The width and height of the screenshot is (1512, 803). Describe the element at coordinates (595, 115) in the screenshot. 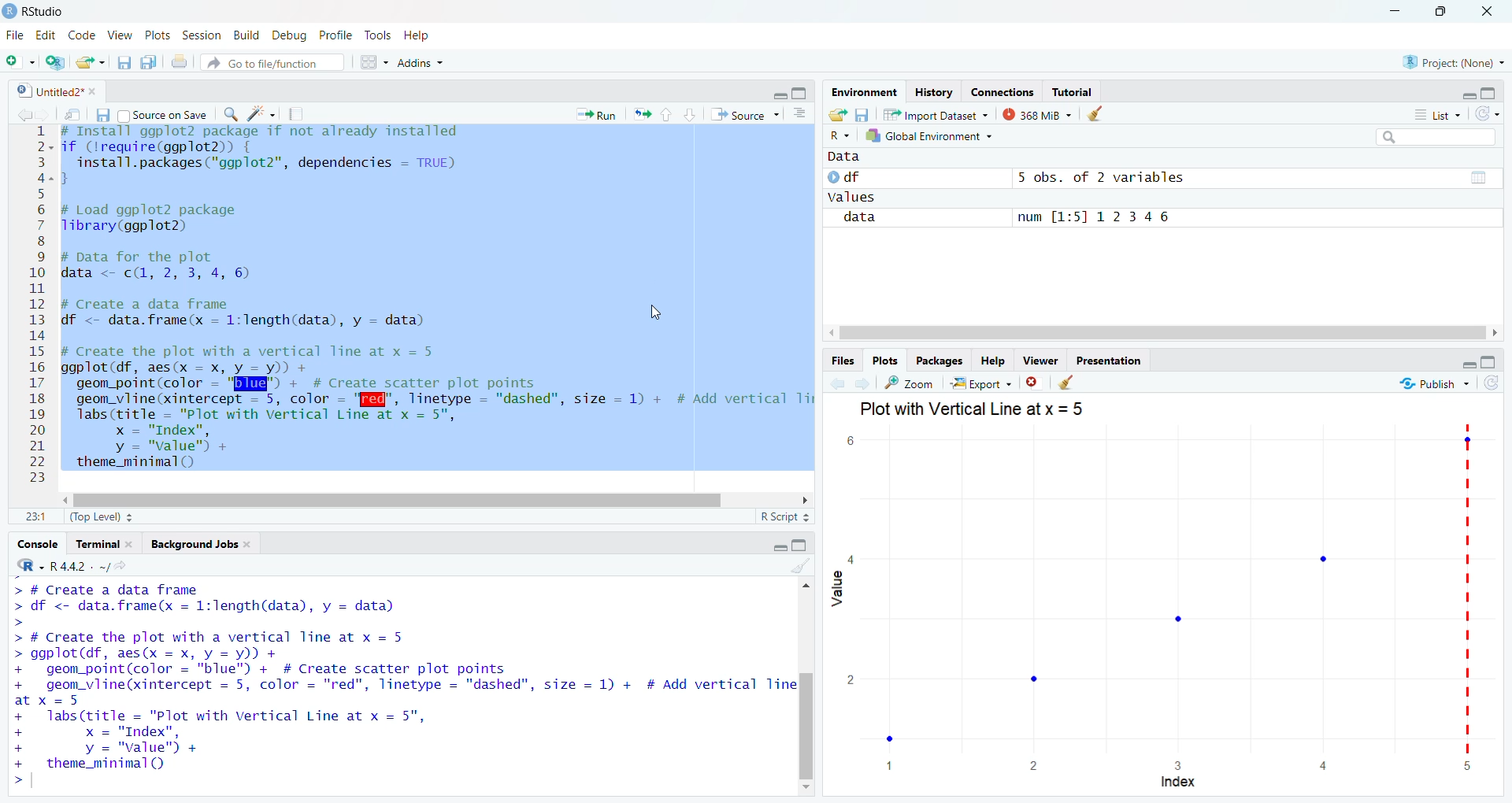

I see `* Run` at that location.